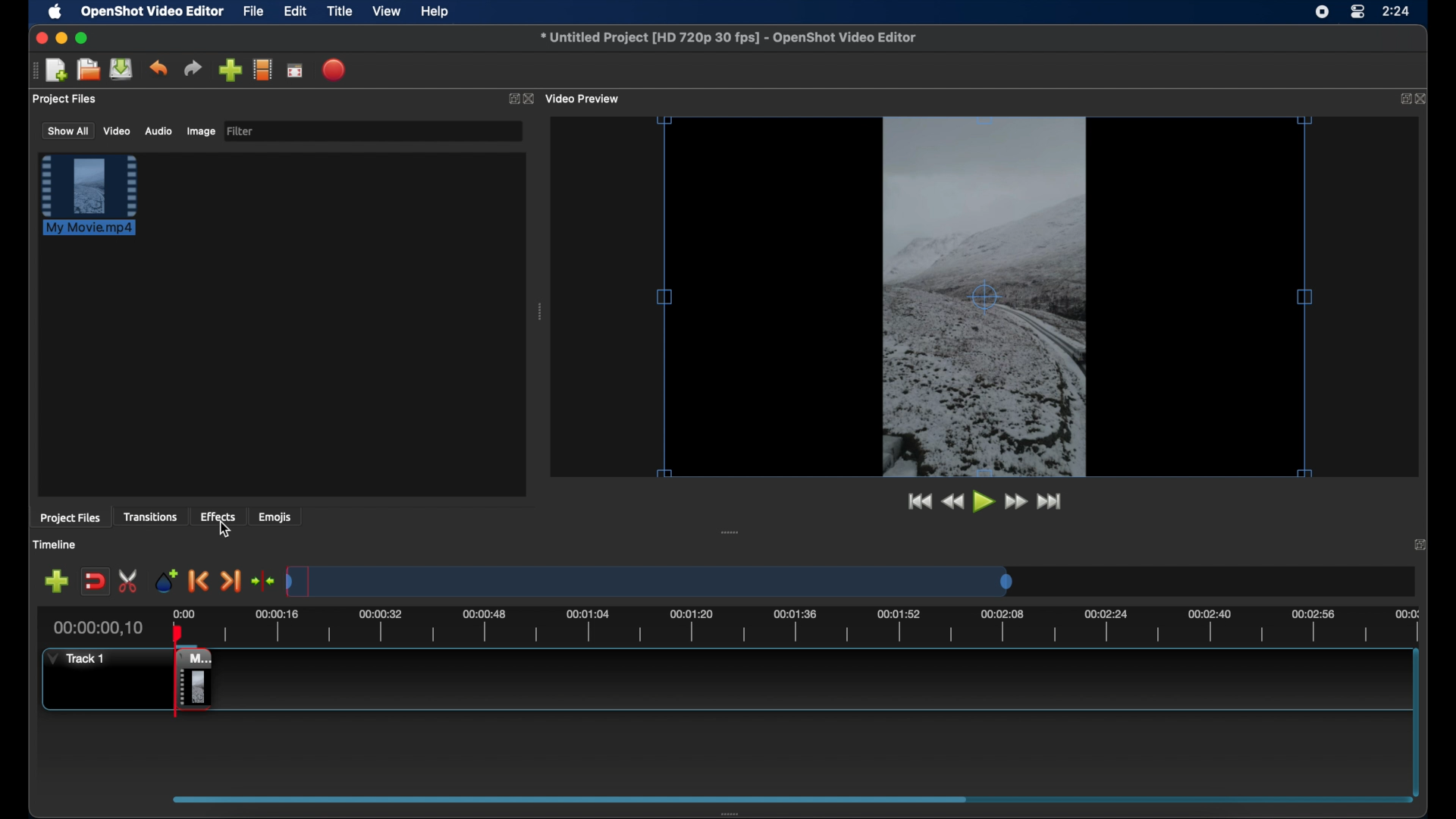 The image size is (1456, 819). What do you see at coordinates (56, 581) in the screenshot?
I see `add track` at bounding box center [56, 581].